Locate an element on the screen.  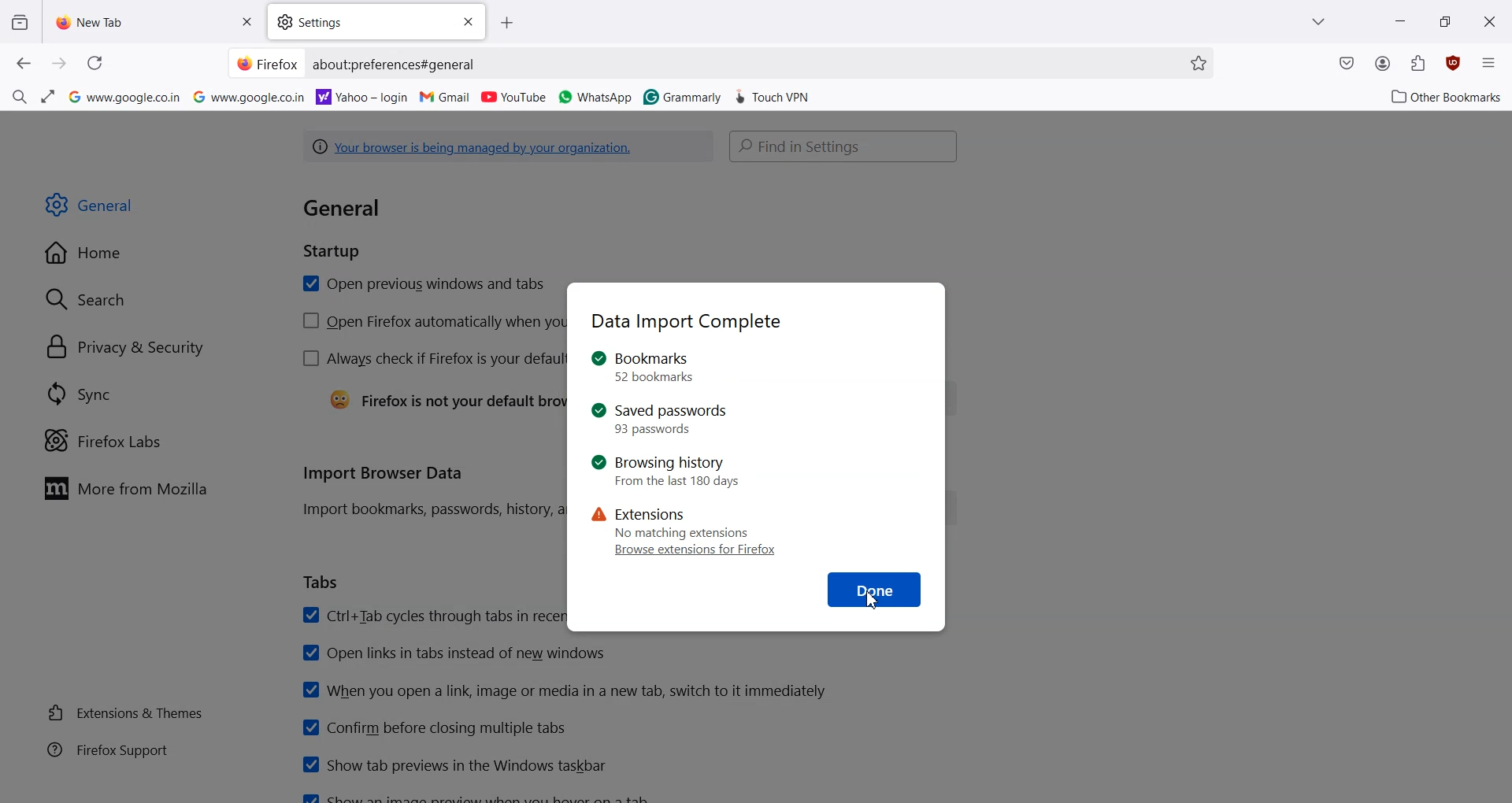
List all tab is located at coordinates (1320, 21).